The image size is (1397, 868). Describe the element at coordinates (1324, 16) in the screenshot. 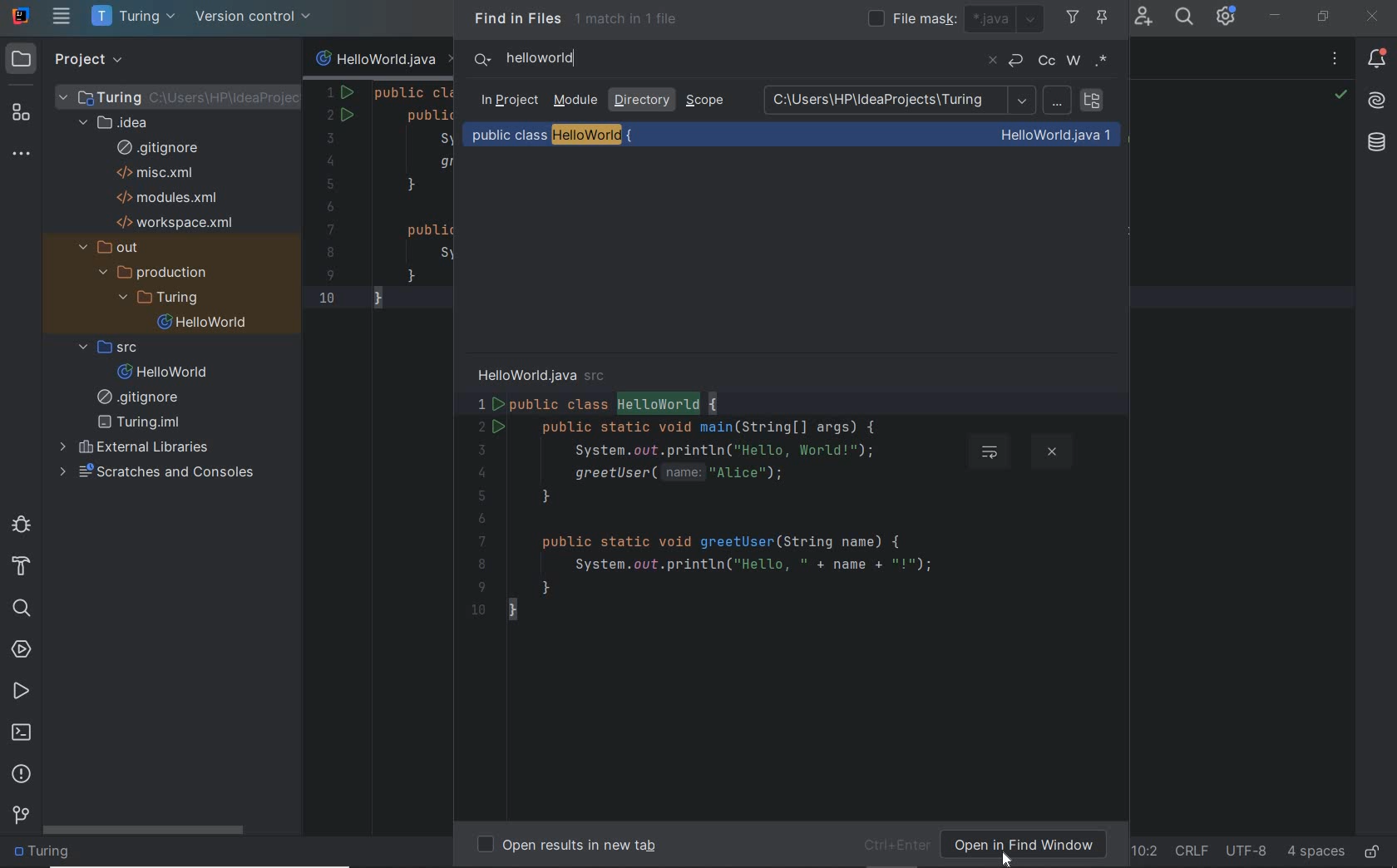

I see `RESTORE DOWN` at that location.